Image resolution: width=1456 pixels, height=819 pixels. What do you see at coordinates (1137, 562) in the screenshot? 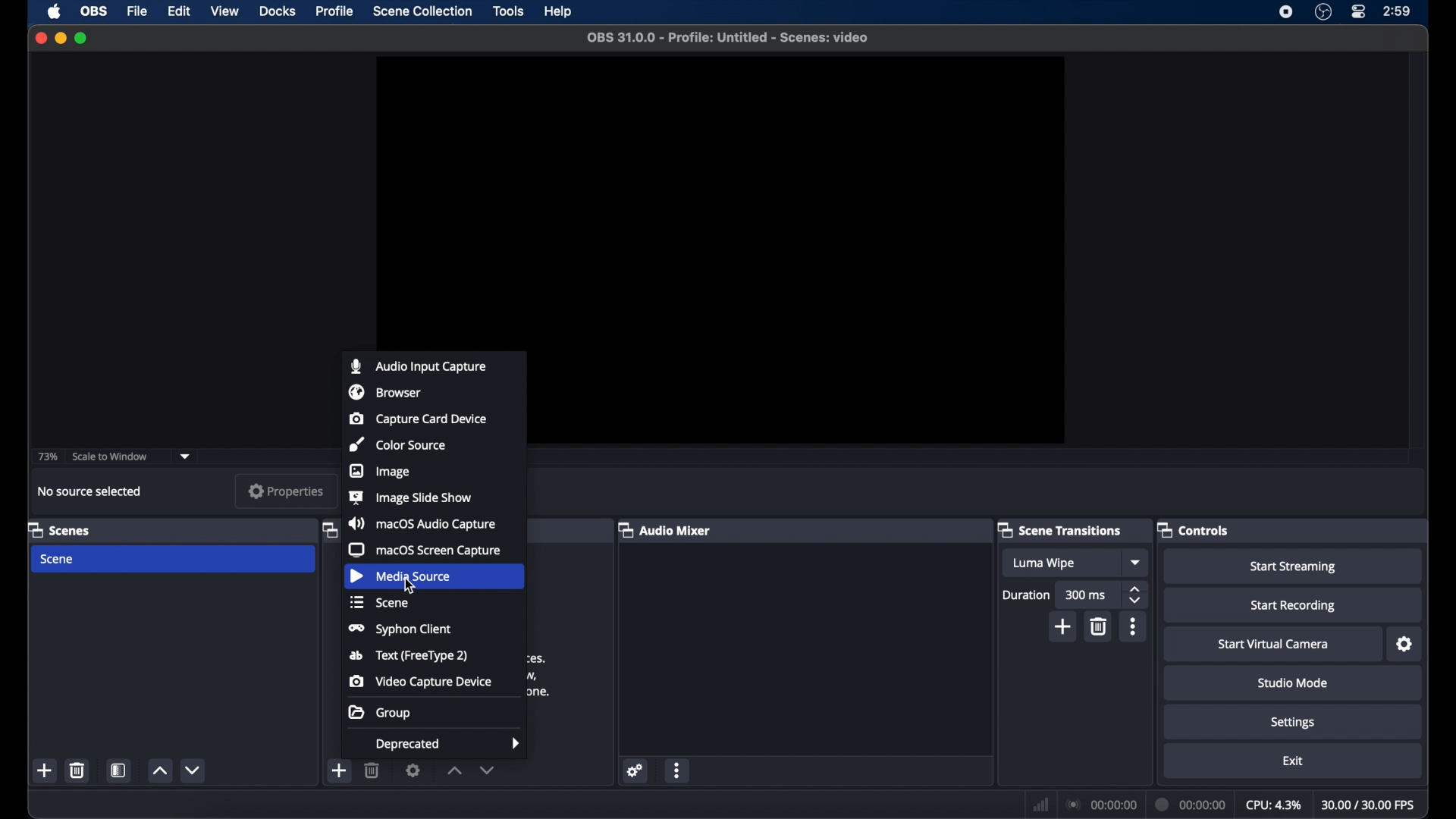
I see `dropdown` at bounding box center [1137, 562].